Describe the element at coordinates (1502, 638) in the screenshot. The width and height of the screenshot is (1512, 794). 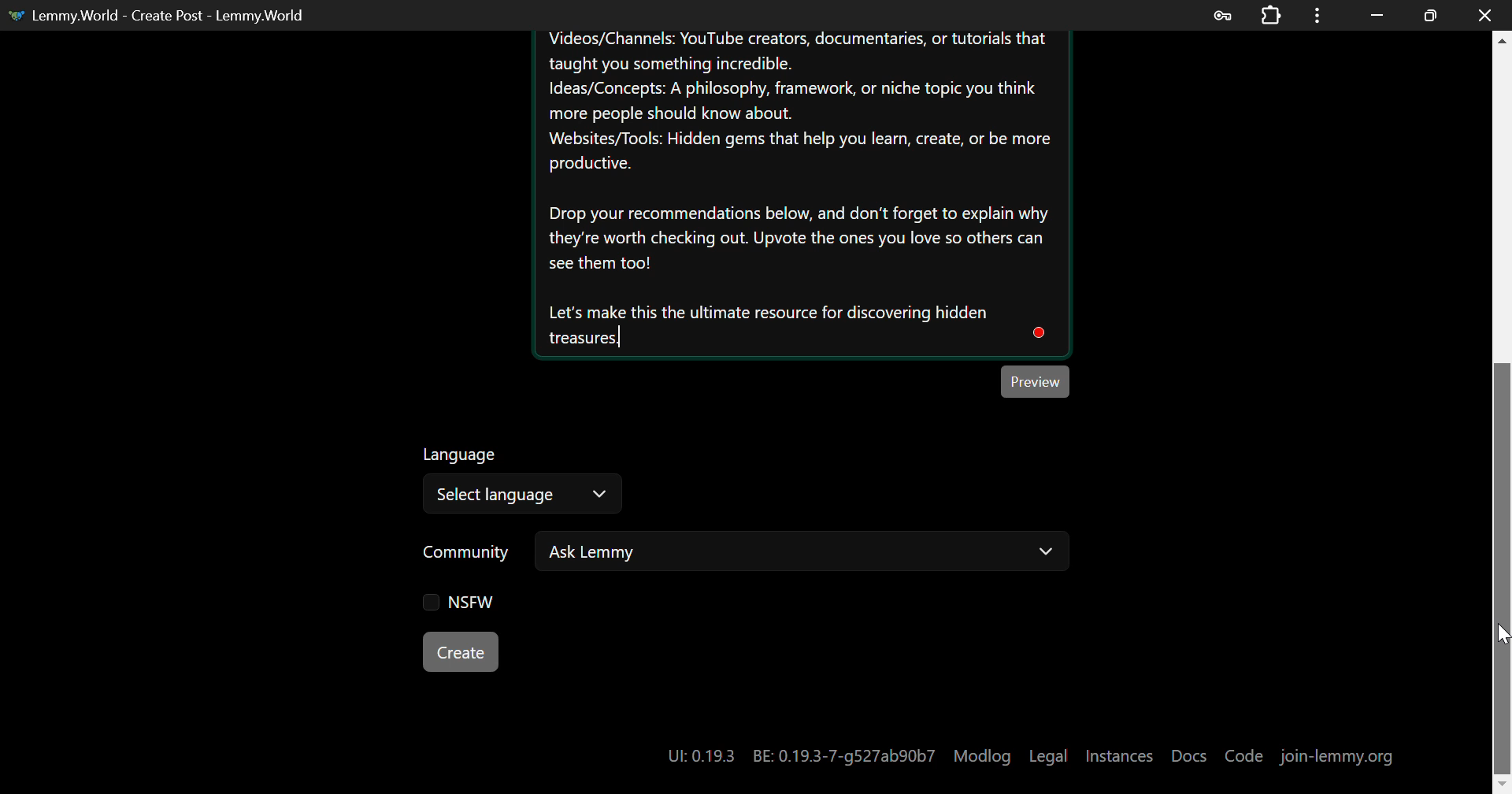
I see `DRAG_TO Cursor Position` at that location.